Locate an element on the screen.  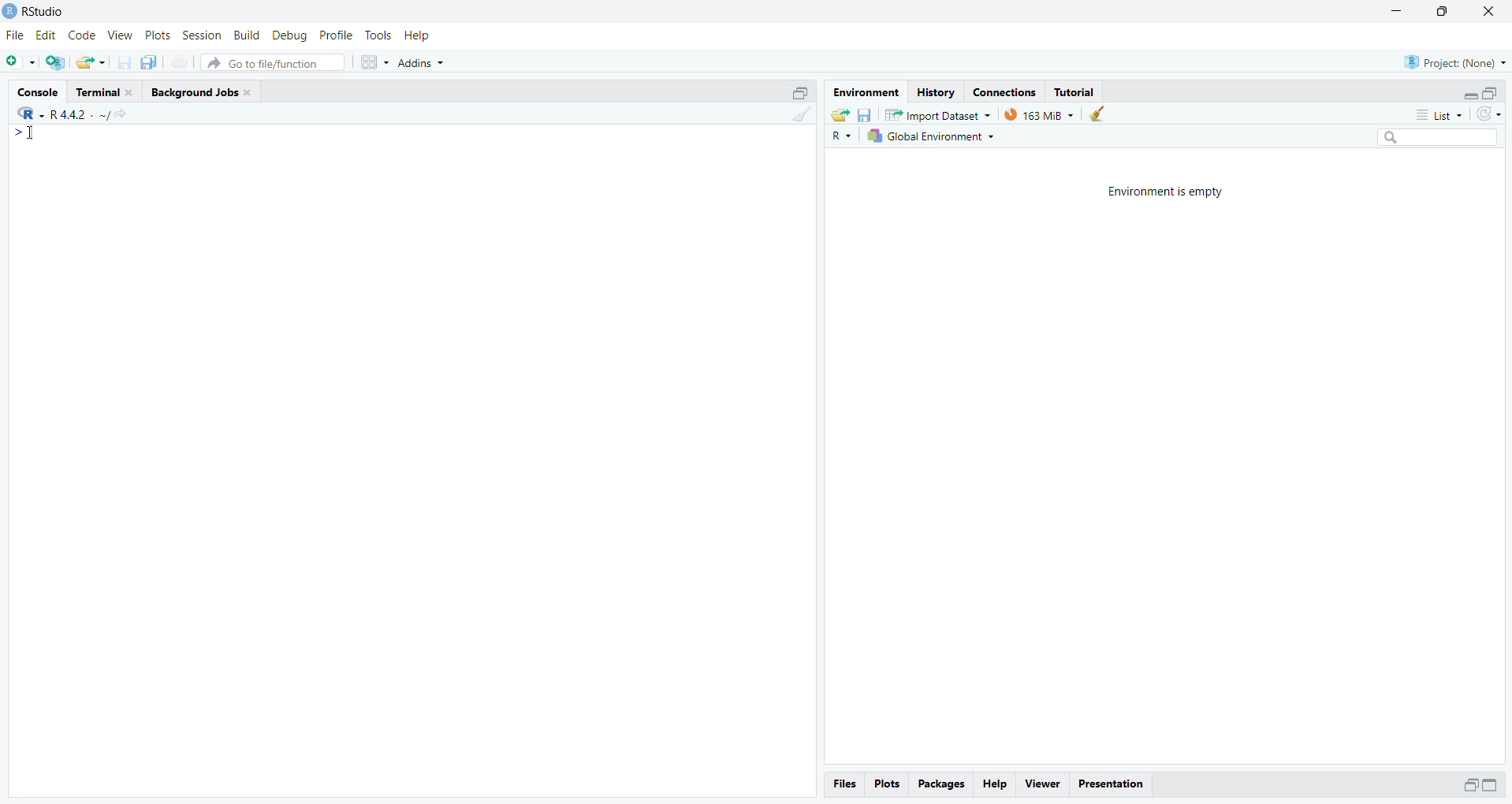
Connections is located at coordinates (1005, 93).